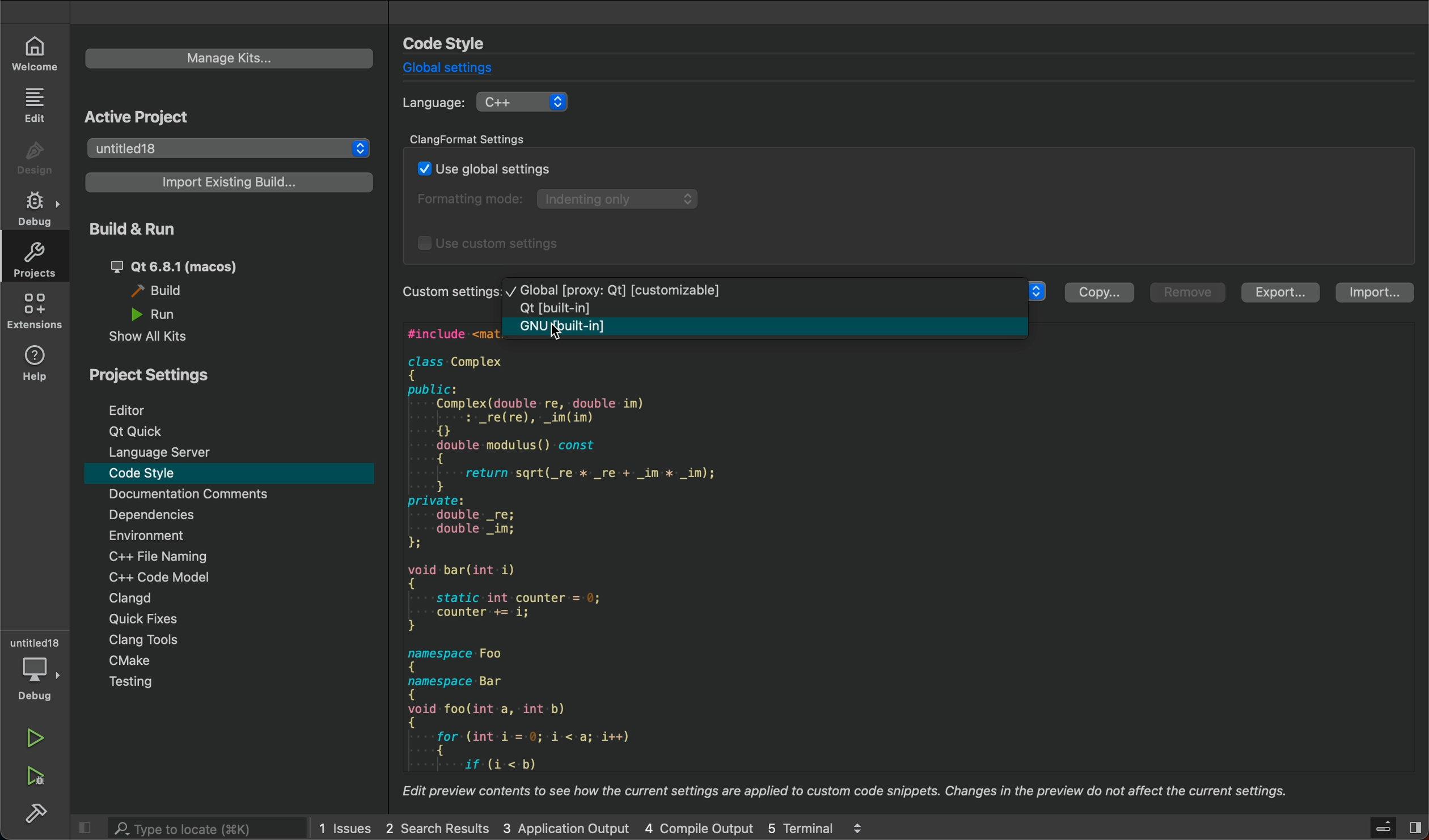 The width and height of the screenshot is (1429, 840). I want to click on code style, so click(227, 473).